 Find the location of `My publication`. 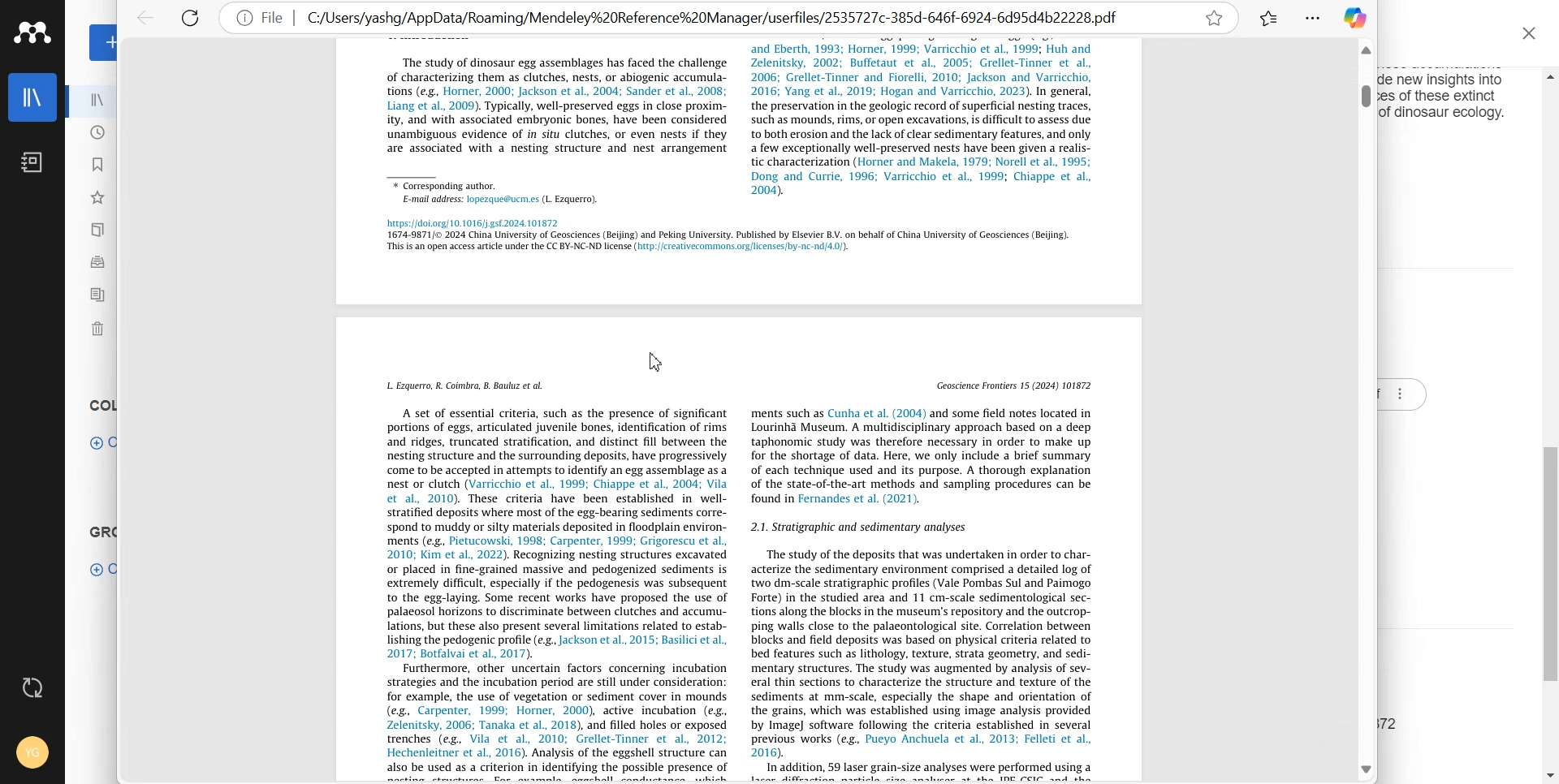

My publication is located at coordinates (97, 232).